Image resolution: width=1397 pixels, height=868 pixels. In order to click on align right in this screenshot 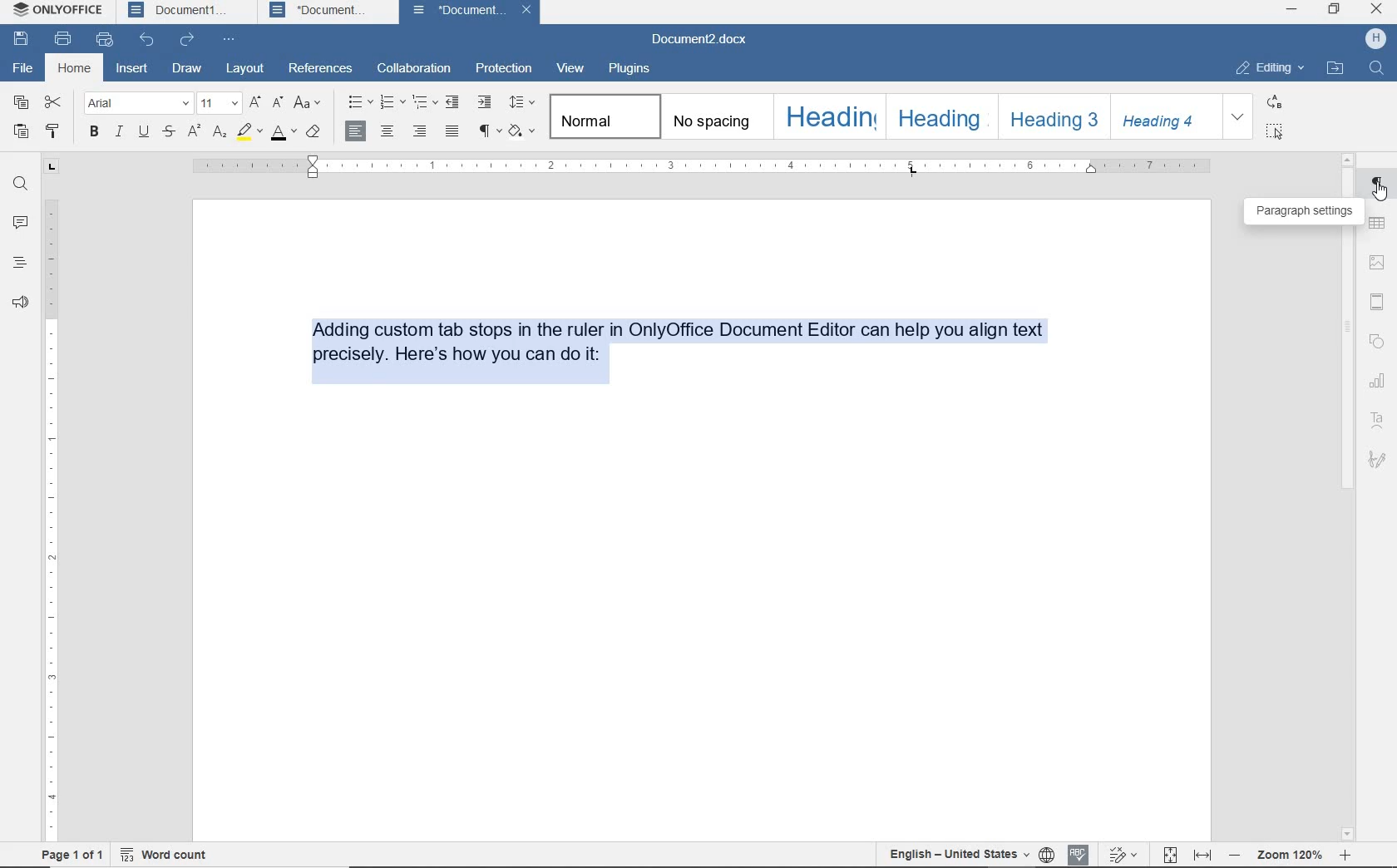, I will do `click(358, 131)`.